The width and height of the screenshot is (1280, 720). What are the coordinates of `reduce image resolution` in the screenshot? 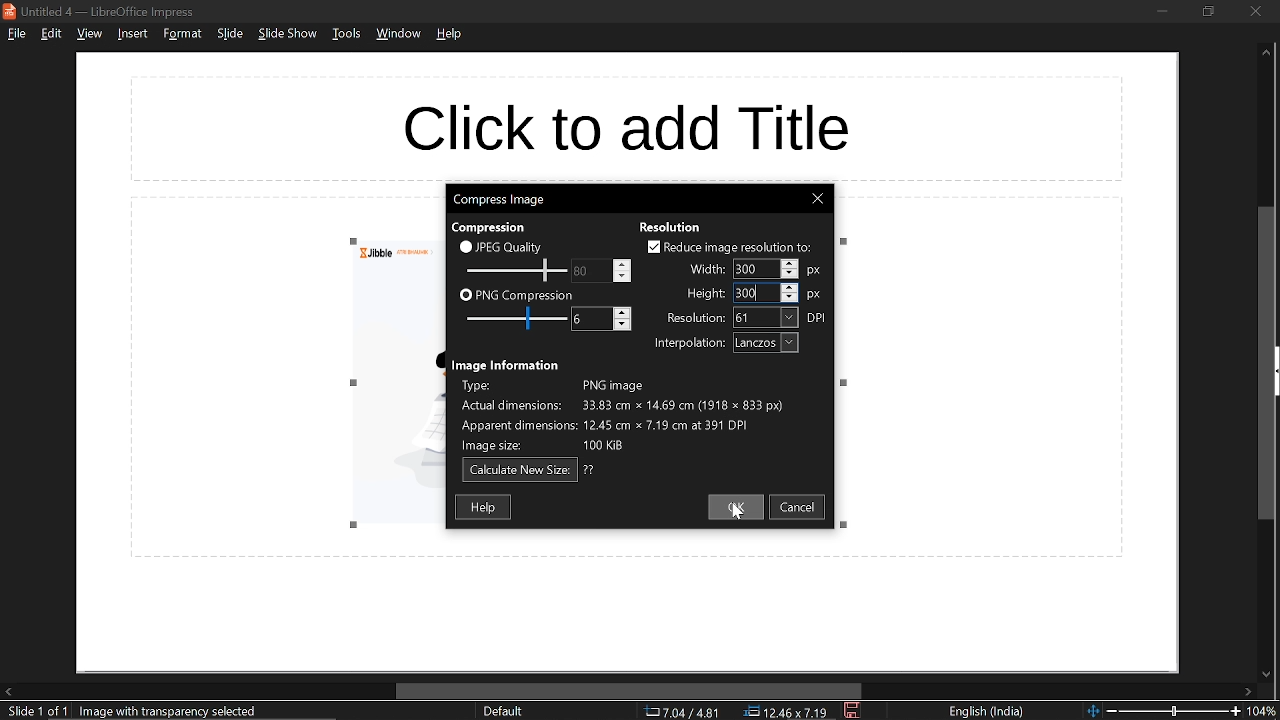 It's located at (740, 247).